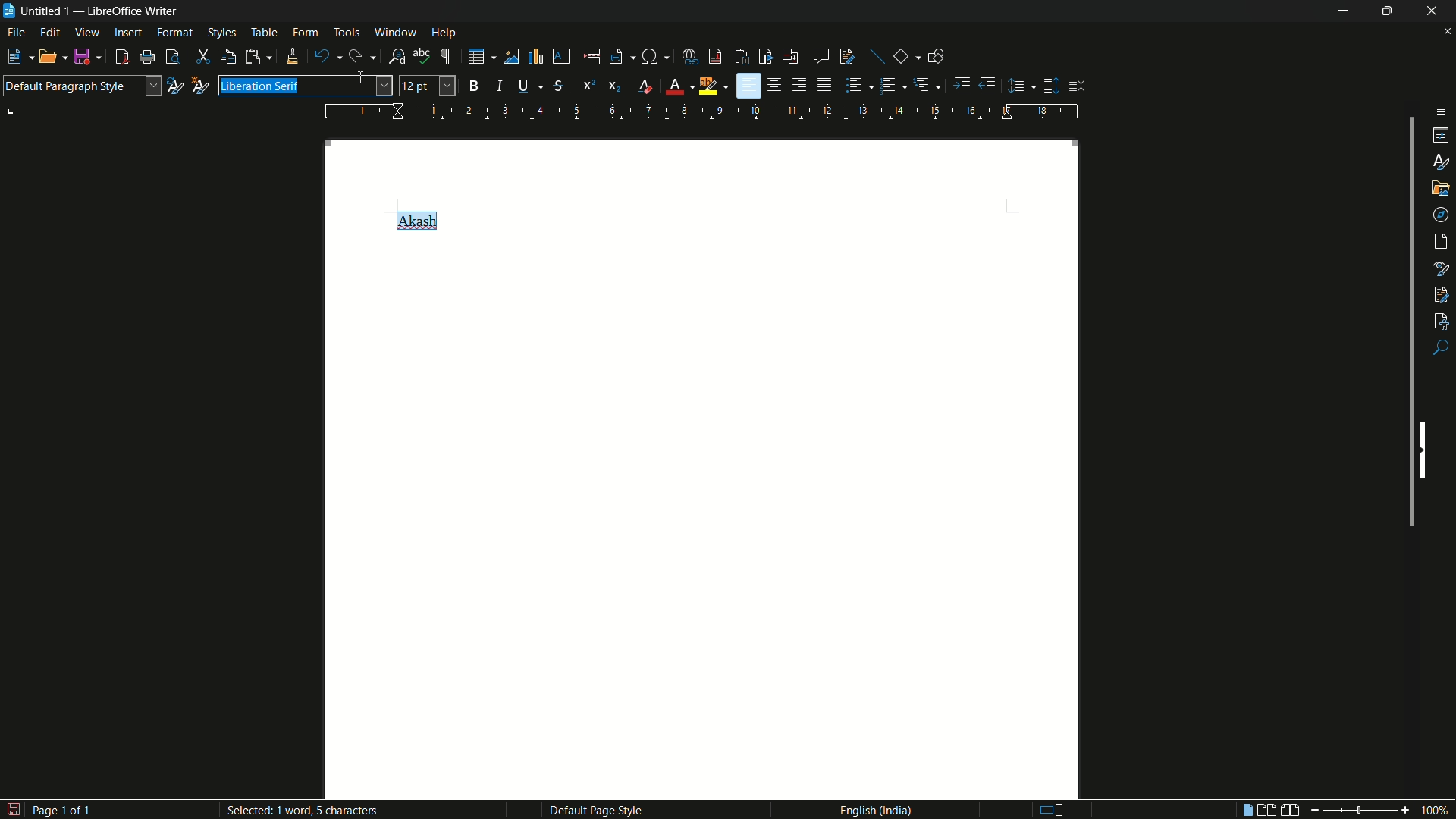  Describe the element at coordinates (134, 11) in the screenshot. I see `app name` at that location.